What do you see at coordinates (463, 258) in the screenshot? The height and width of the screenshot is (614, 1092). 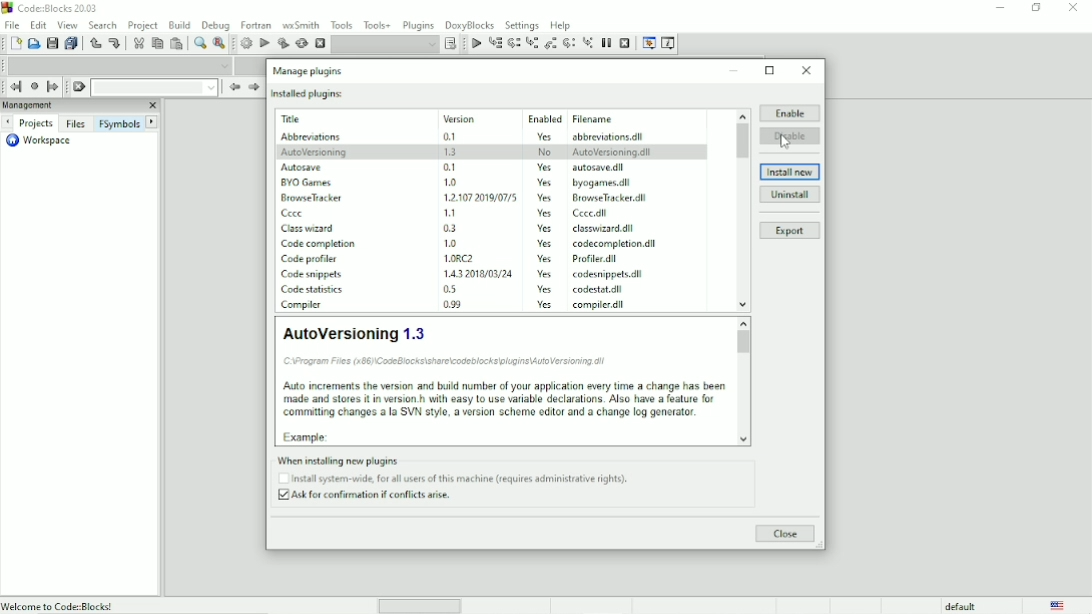 I see `1.ORC2` at bounding box center [463, 258].